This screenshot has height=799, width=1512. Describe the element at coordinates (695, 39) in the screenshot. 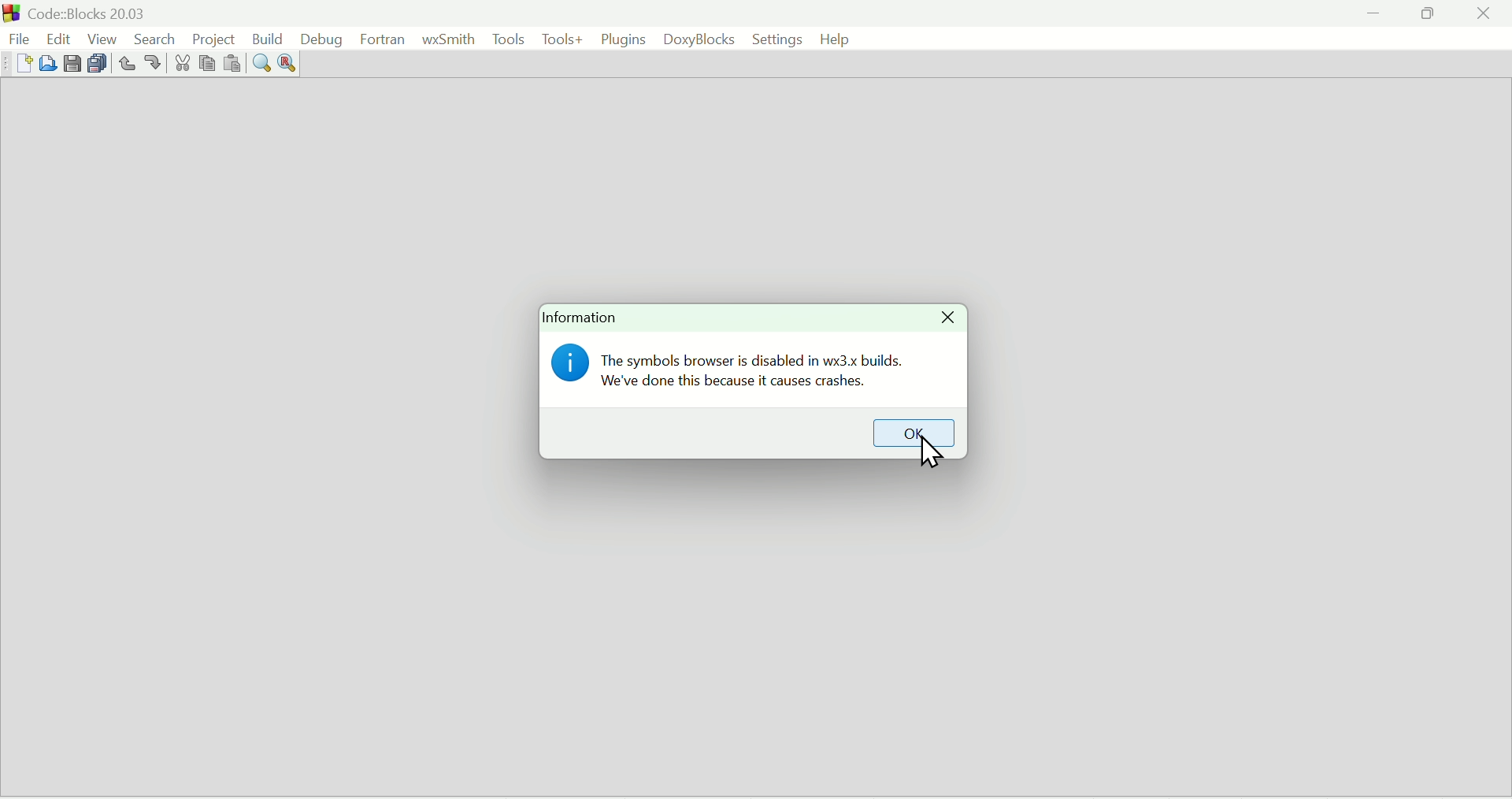

I see `DoxyBlocks` at that location.